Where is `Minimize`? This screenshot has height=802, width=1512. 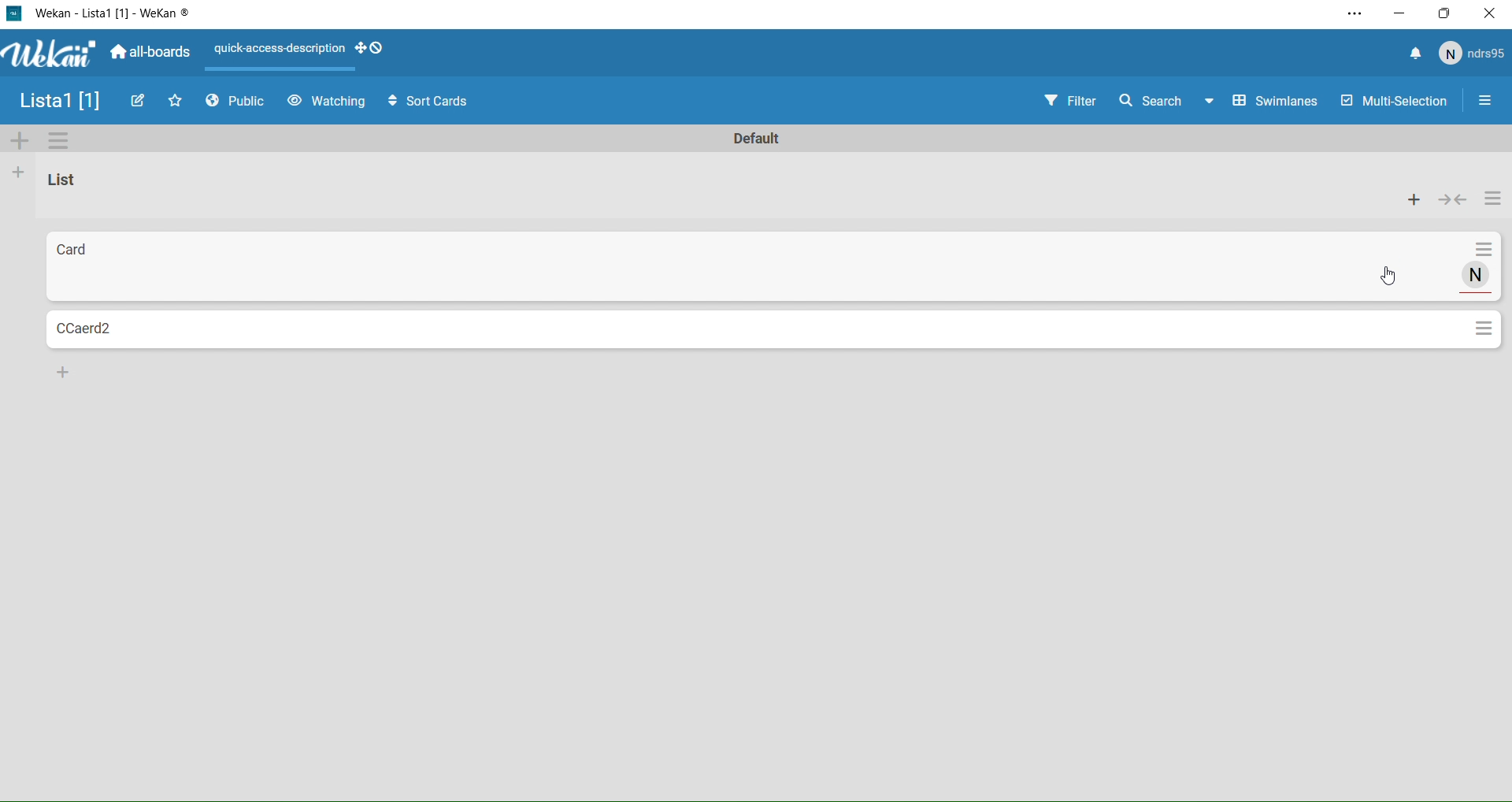
Minimize is located at coordinates (1400, 13).